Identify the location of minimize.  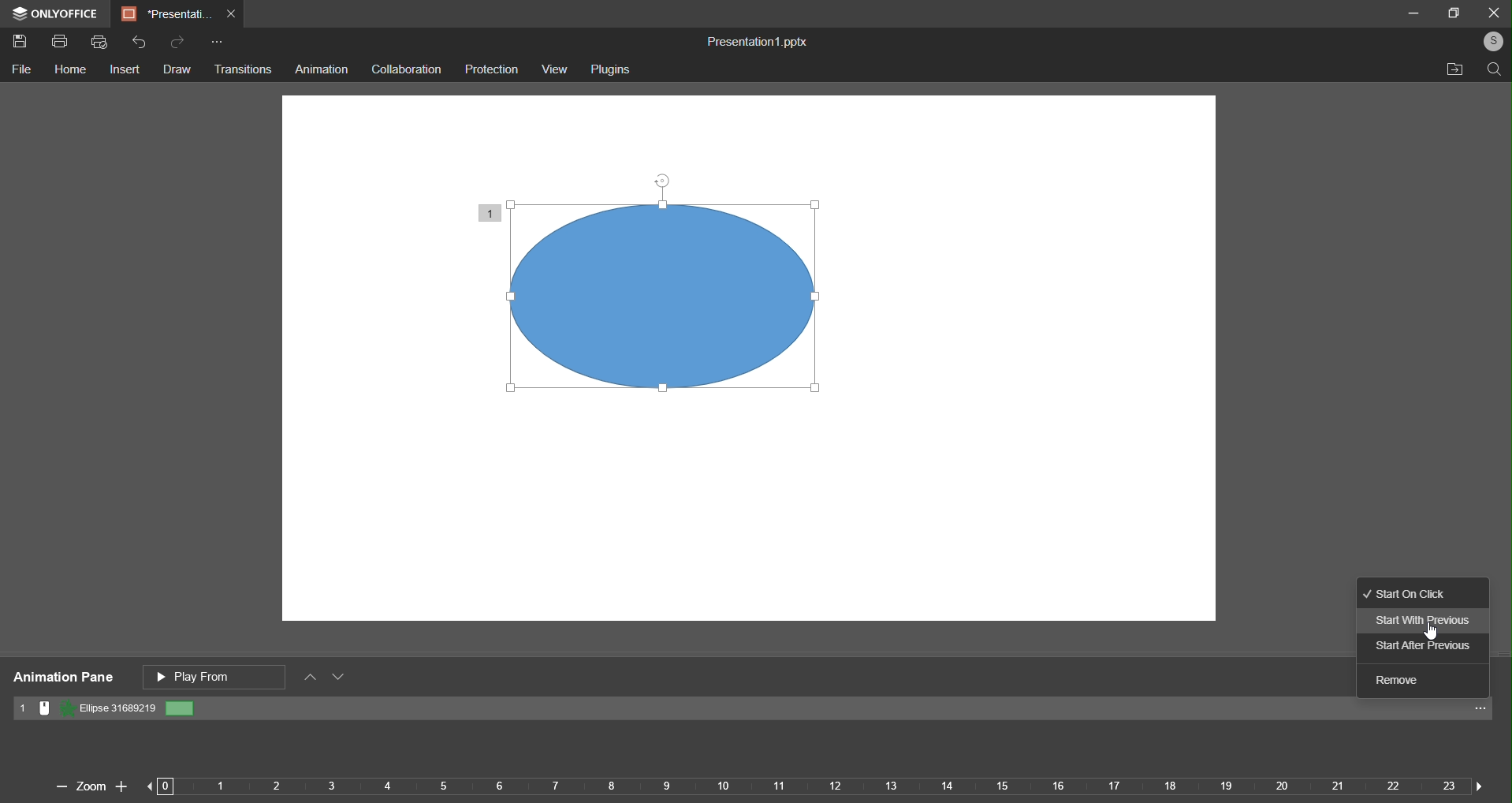
(1413, 12).